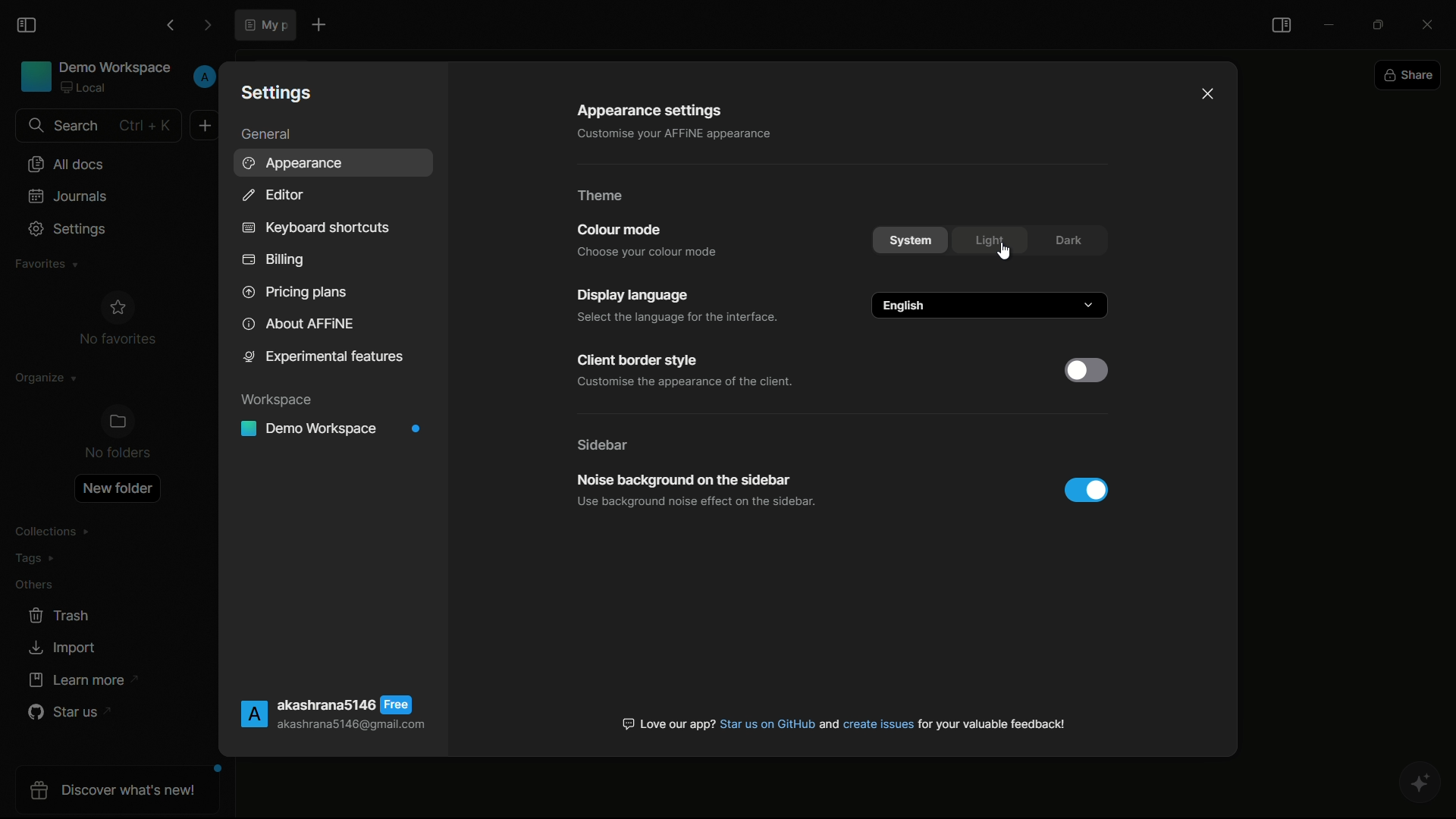 The image size is (1456, 819). What do you see at coordinates (674, 318) in the screenshot?
I see `Select the language for the interface.` at bounding box center [674, 318].